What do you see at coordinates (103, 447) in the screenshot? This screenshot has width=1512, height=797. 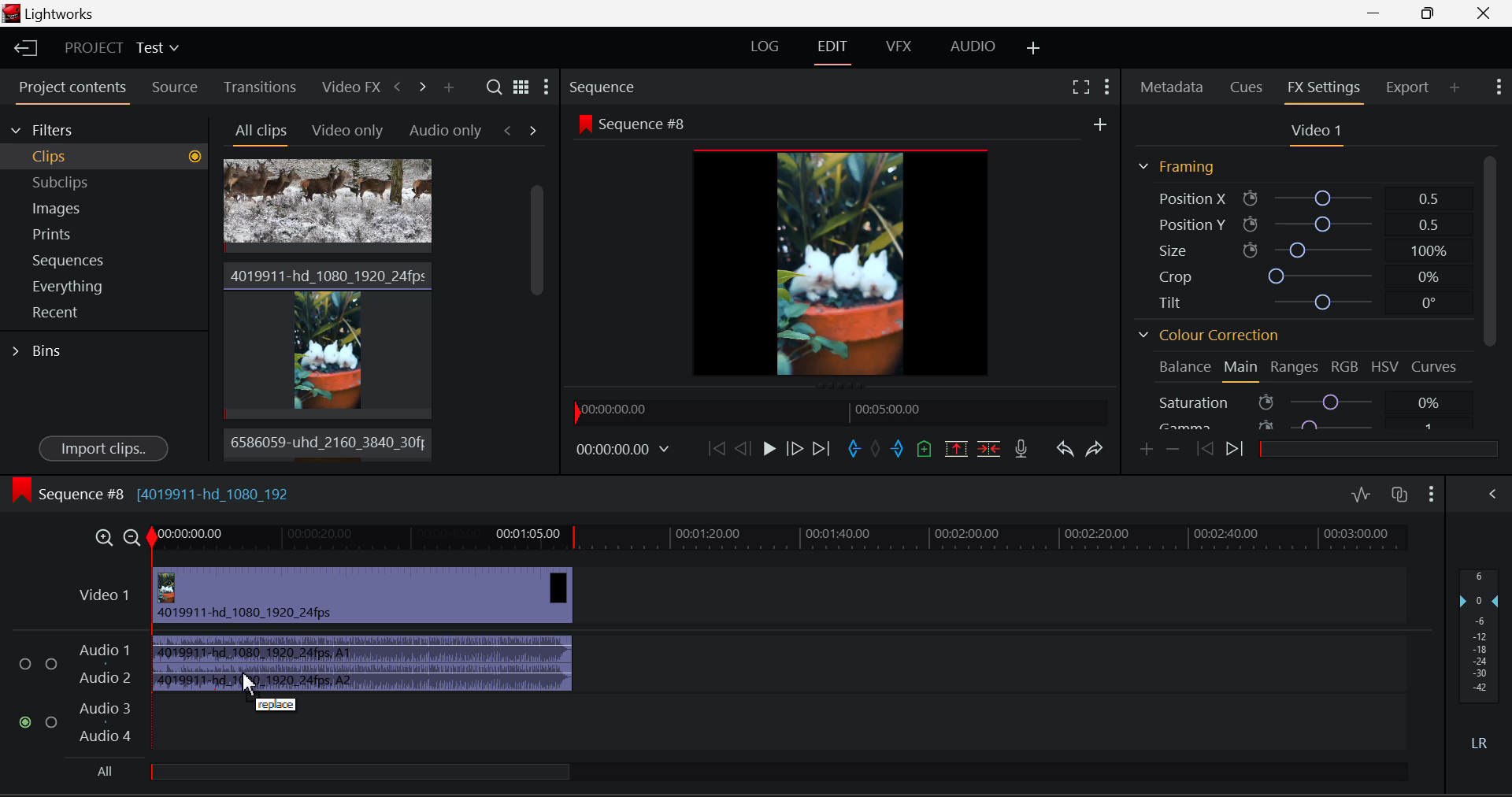 I see `Import clips` at bounding box center [103, 447].